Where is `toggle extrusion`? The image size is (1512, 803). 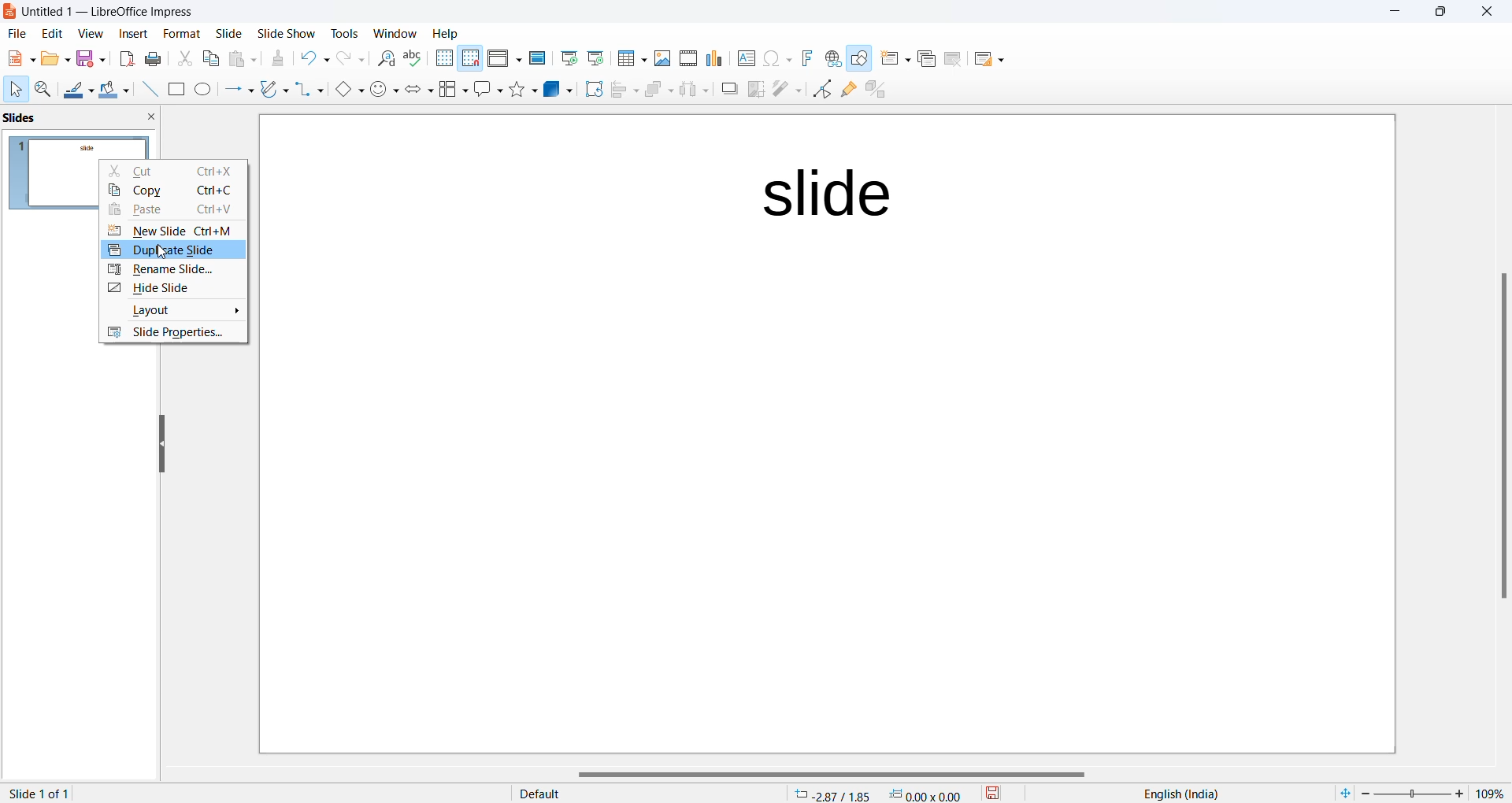
toggle extrusion is located at coordinates (876, 89).